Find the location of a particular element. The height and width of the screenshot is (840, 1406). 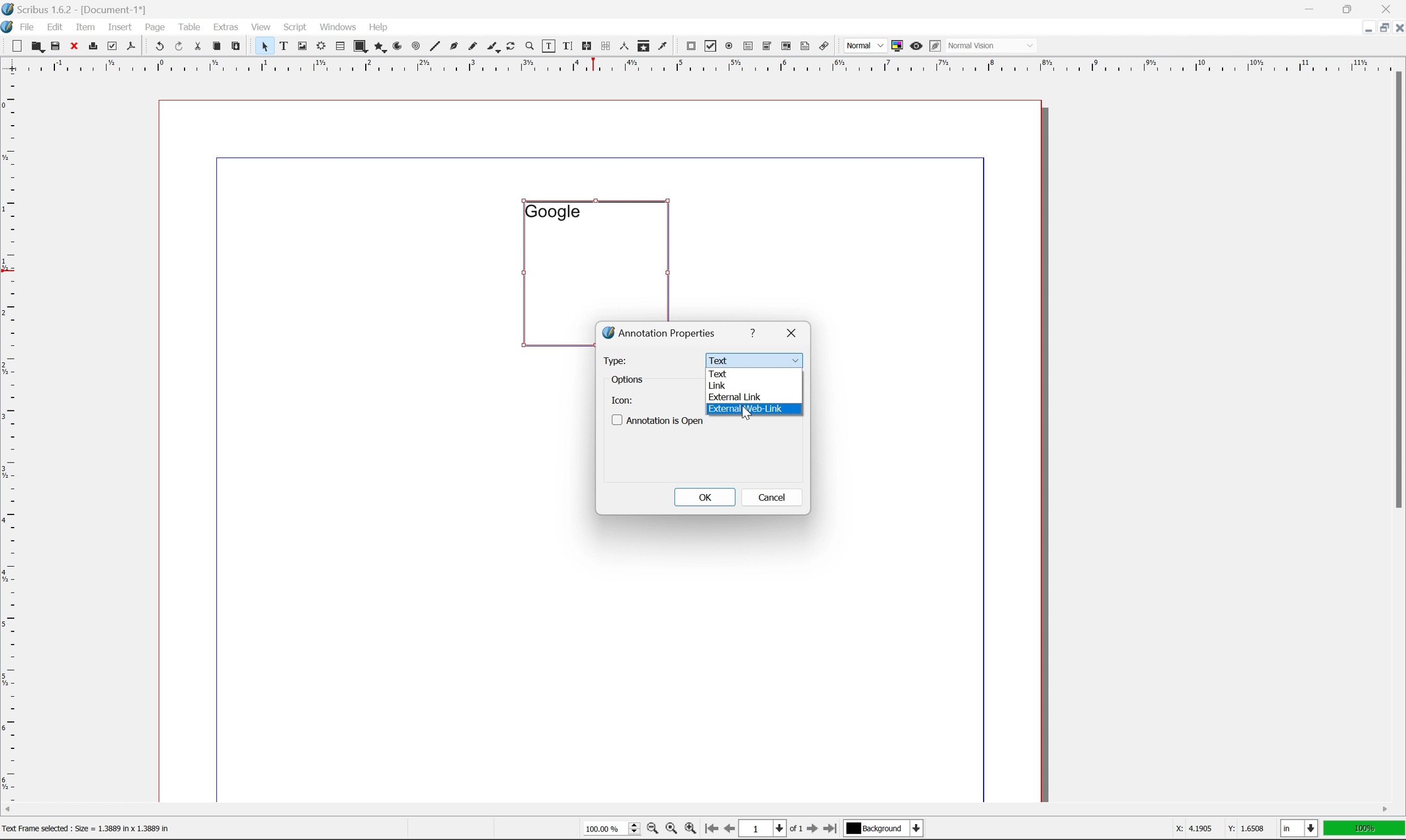

spiral is located at coordinates (416, 45).